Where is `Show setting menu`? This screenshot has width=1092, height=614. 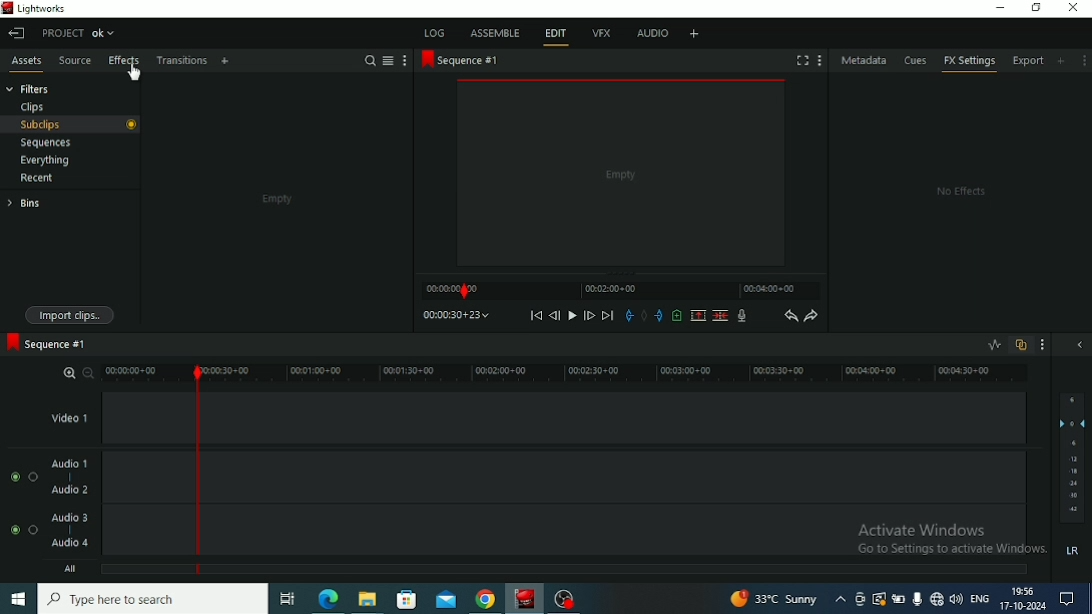 Show setting menu is located at coordinates (819, 60).